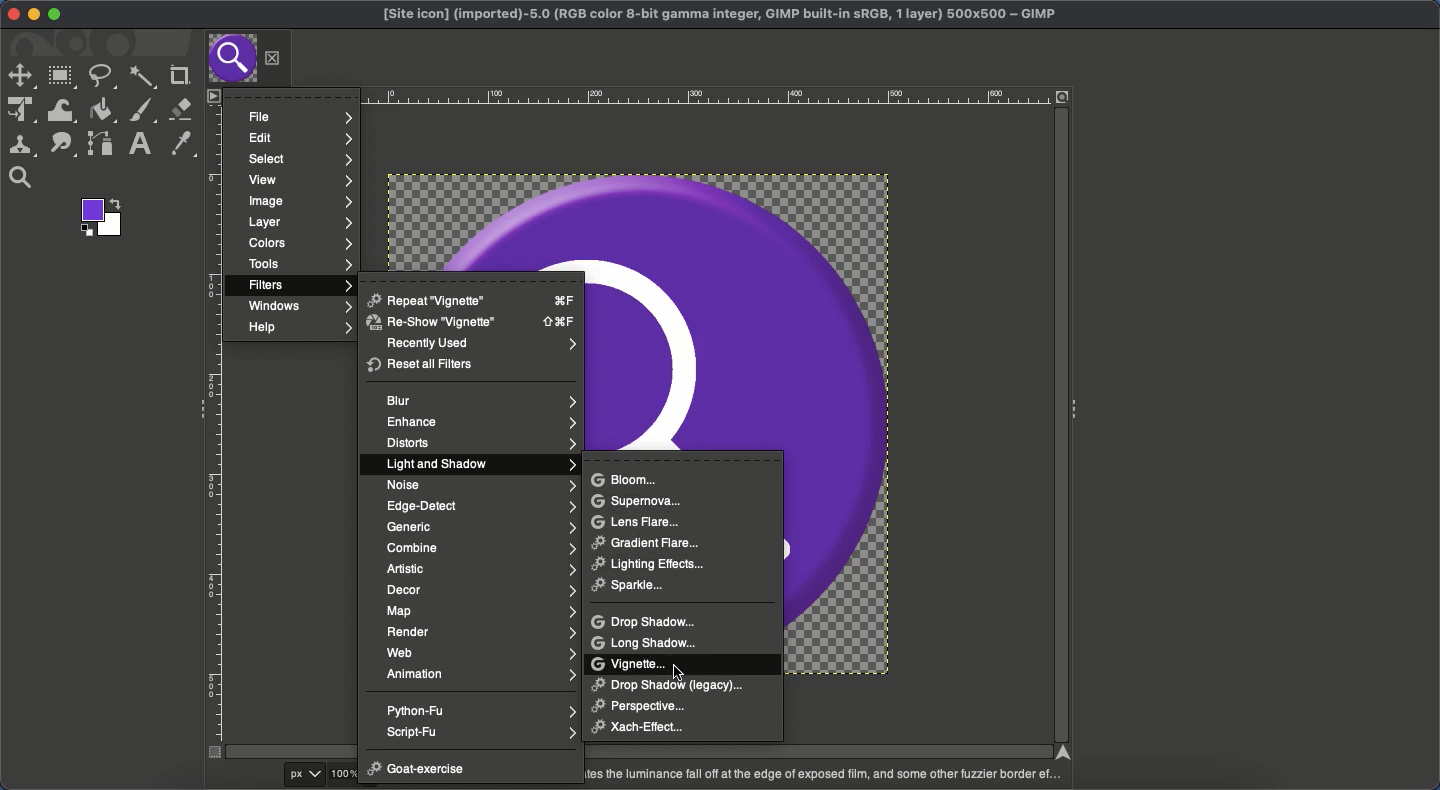  Describe the element at coordinates (34, 15) in the screenshot. I see `Minimize` at that location.